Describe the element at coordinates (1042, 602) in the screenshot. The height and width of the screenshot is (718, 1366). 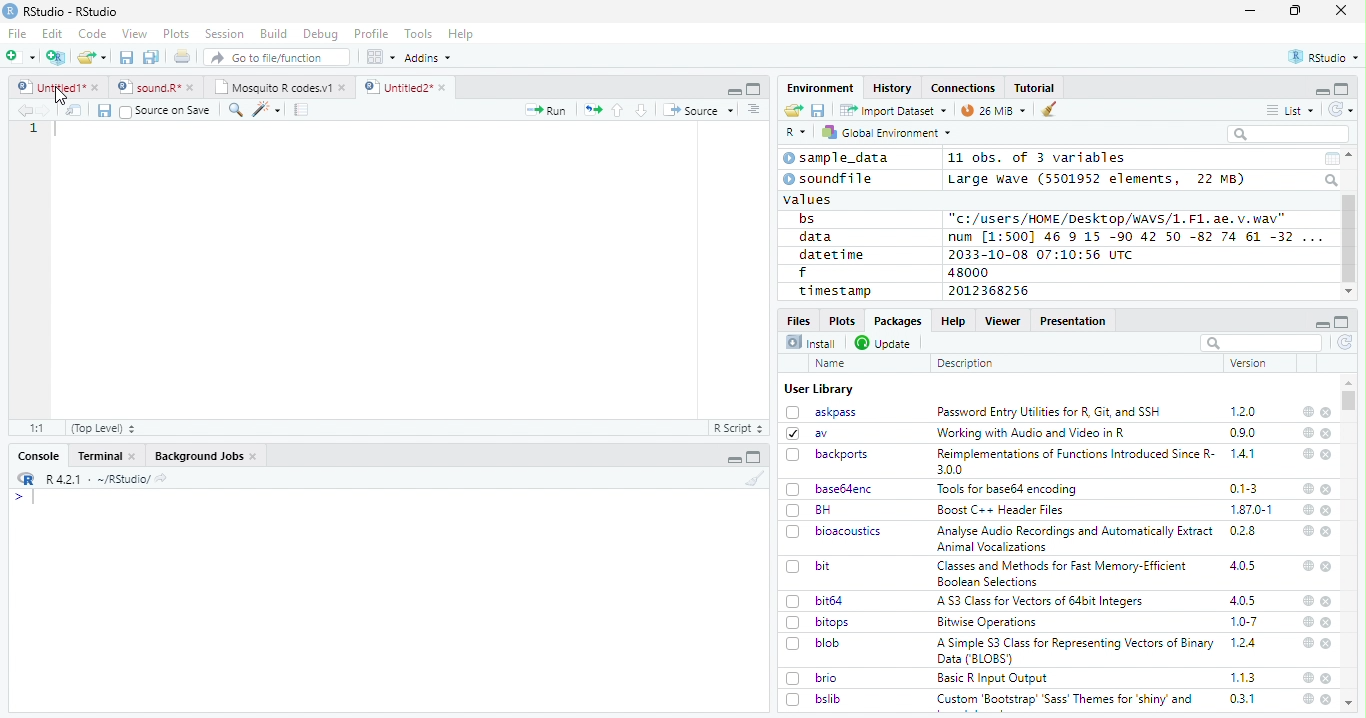
I see `A S3 Class for Vectors of 64bit Integers` at that location.